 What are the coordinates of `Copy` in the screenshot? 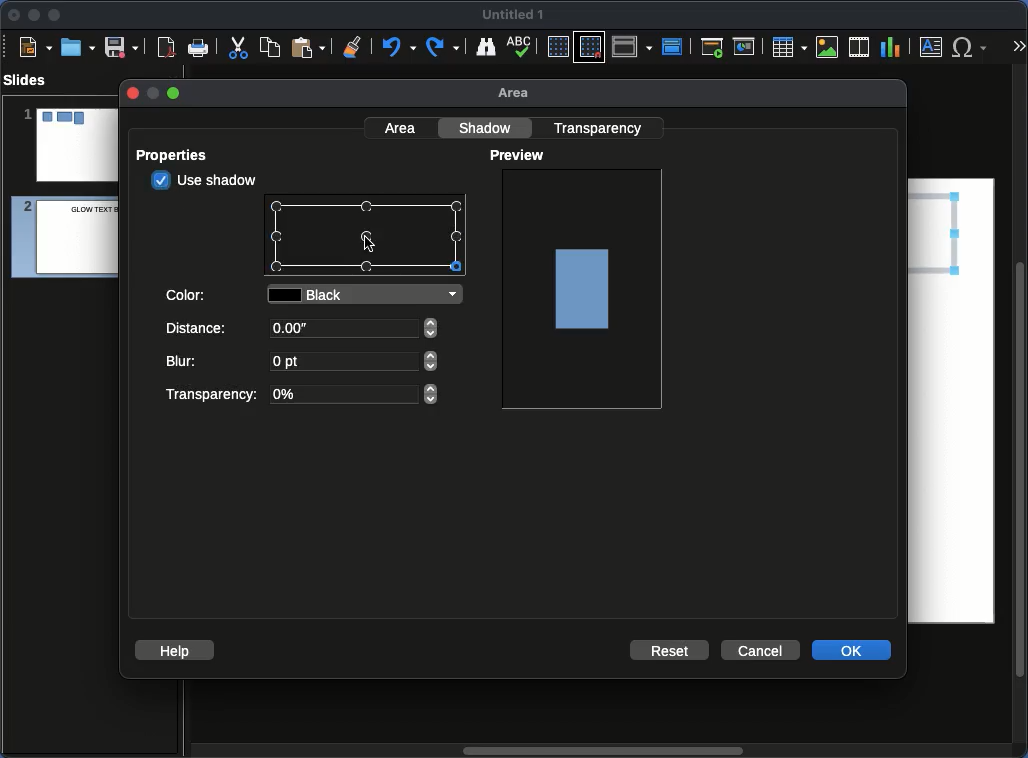 It's located at (270, 46).